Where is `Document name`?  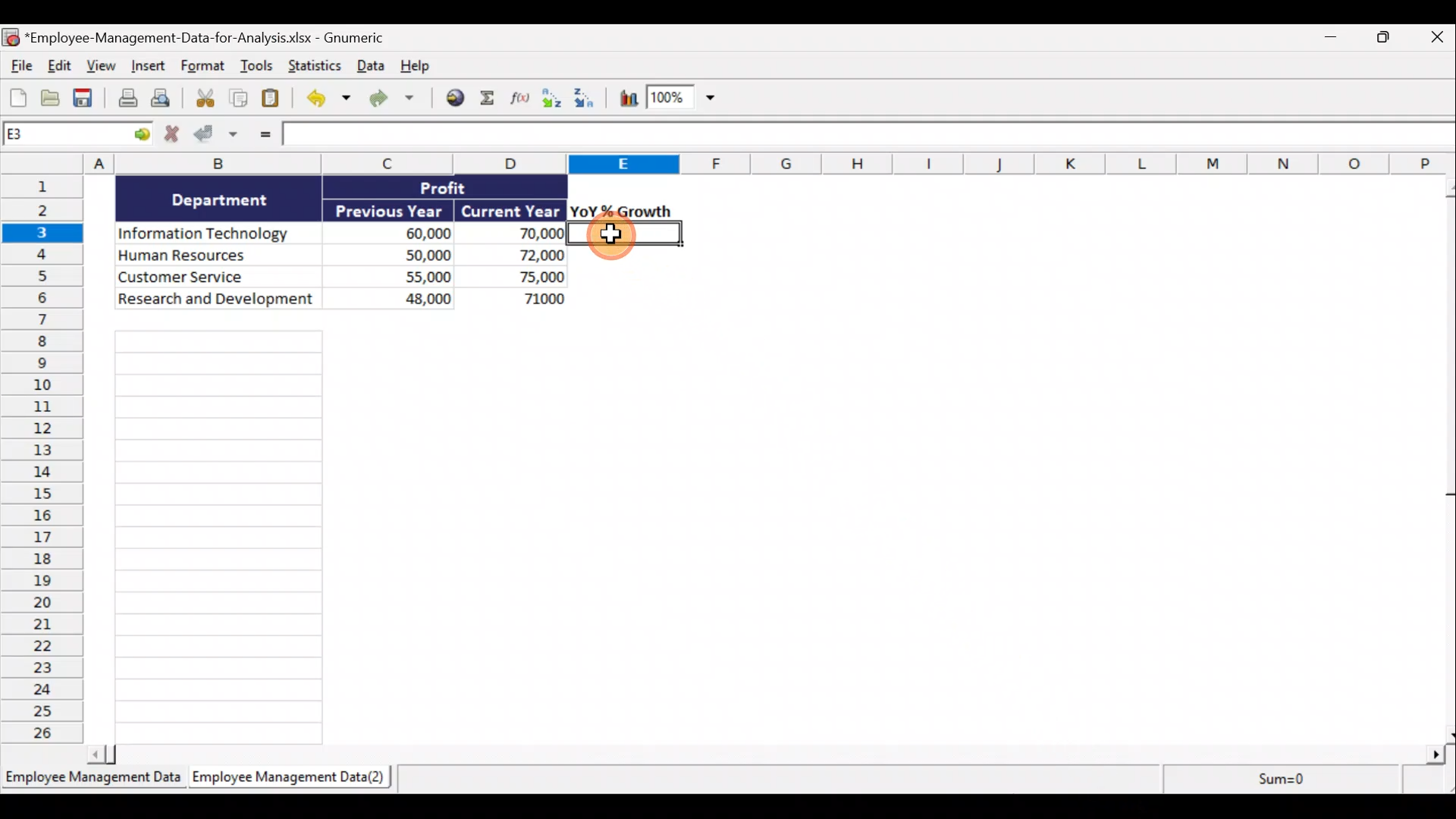 Document name is located at coordinates (208, 36).